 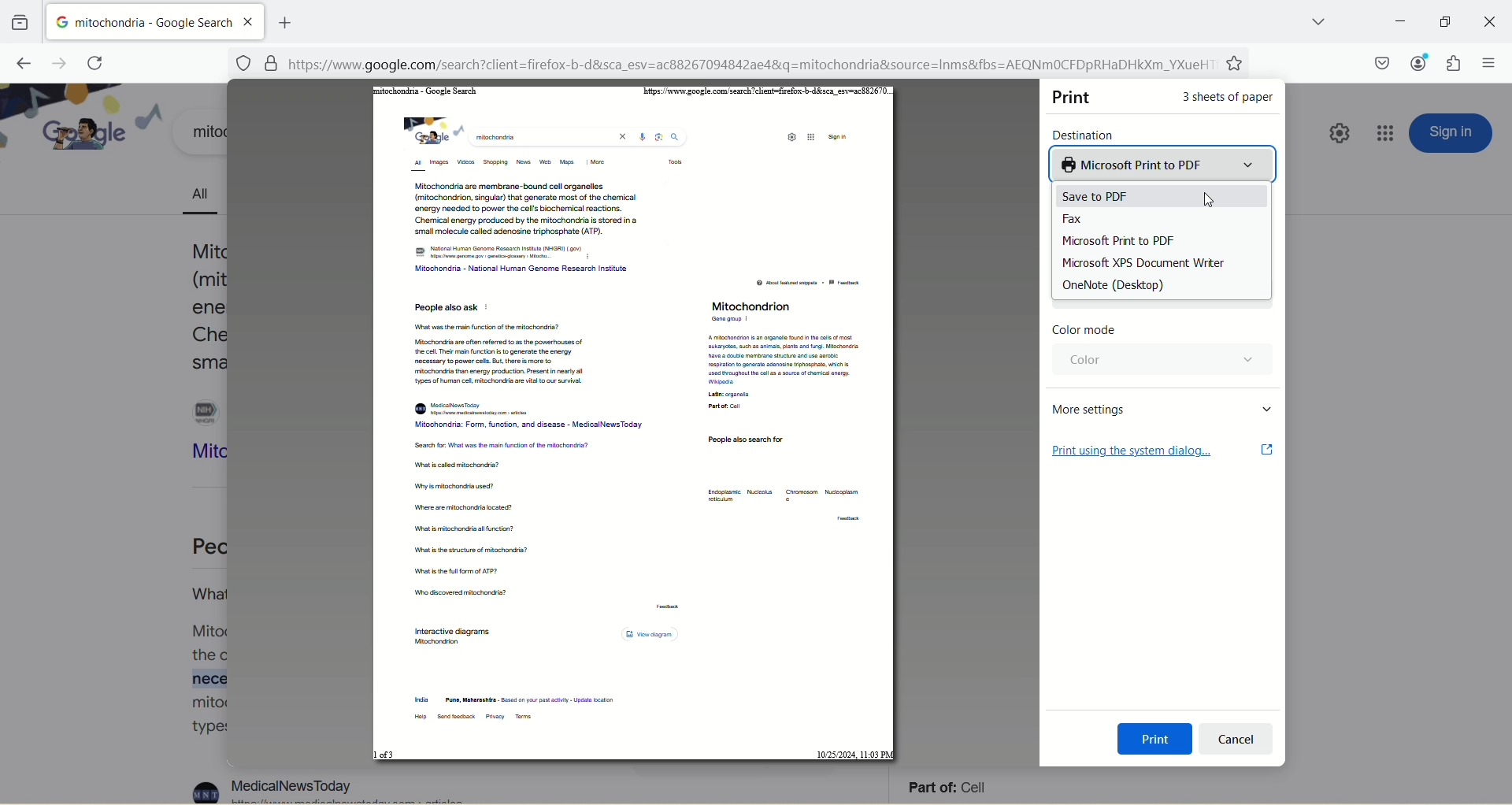 I want to click on color mode, so click(x=1084, y=331).